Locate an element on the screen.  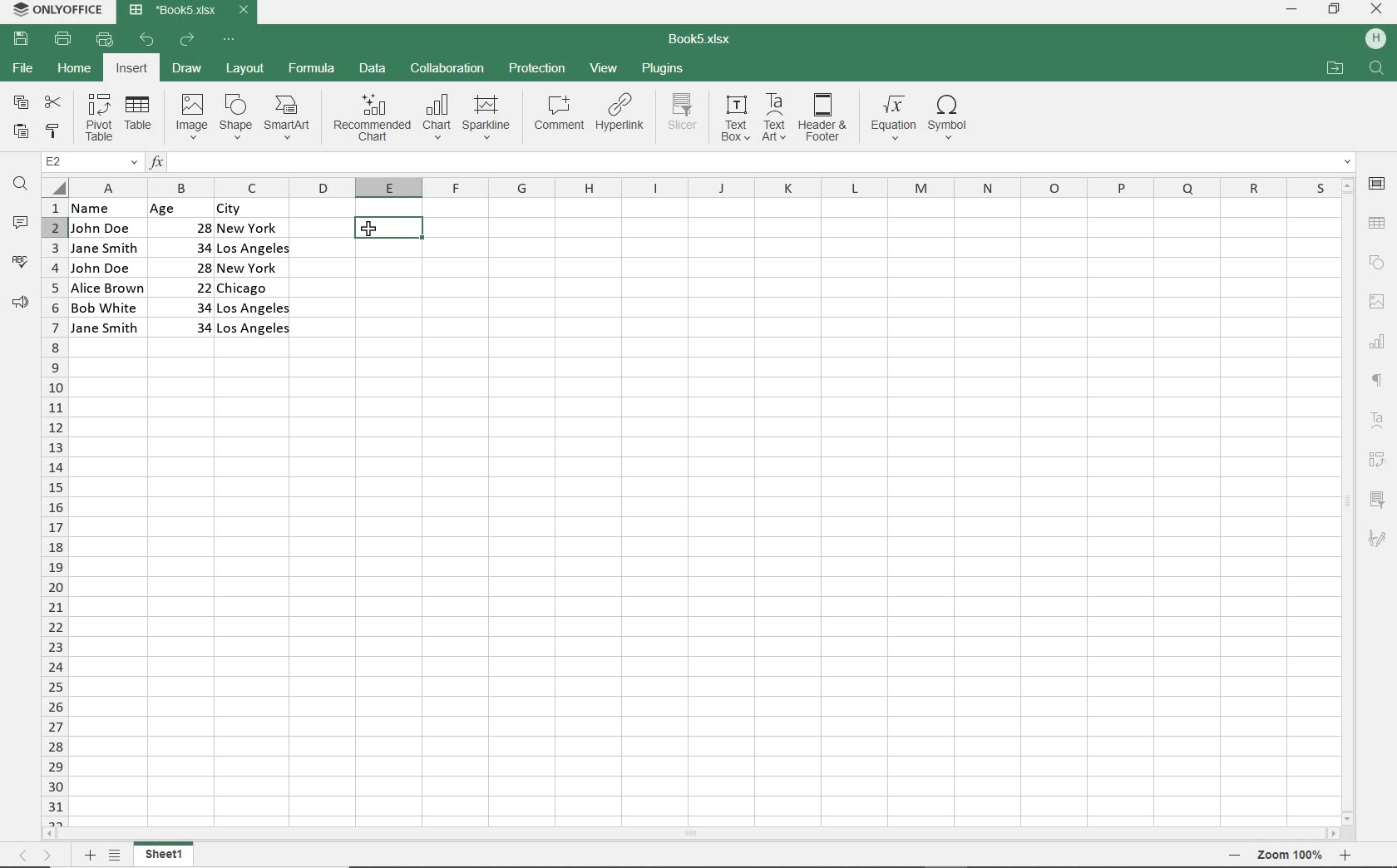
NAME MANAGER is located at coordinates (89, 162).